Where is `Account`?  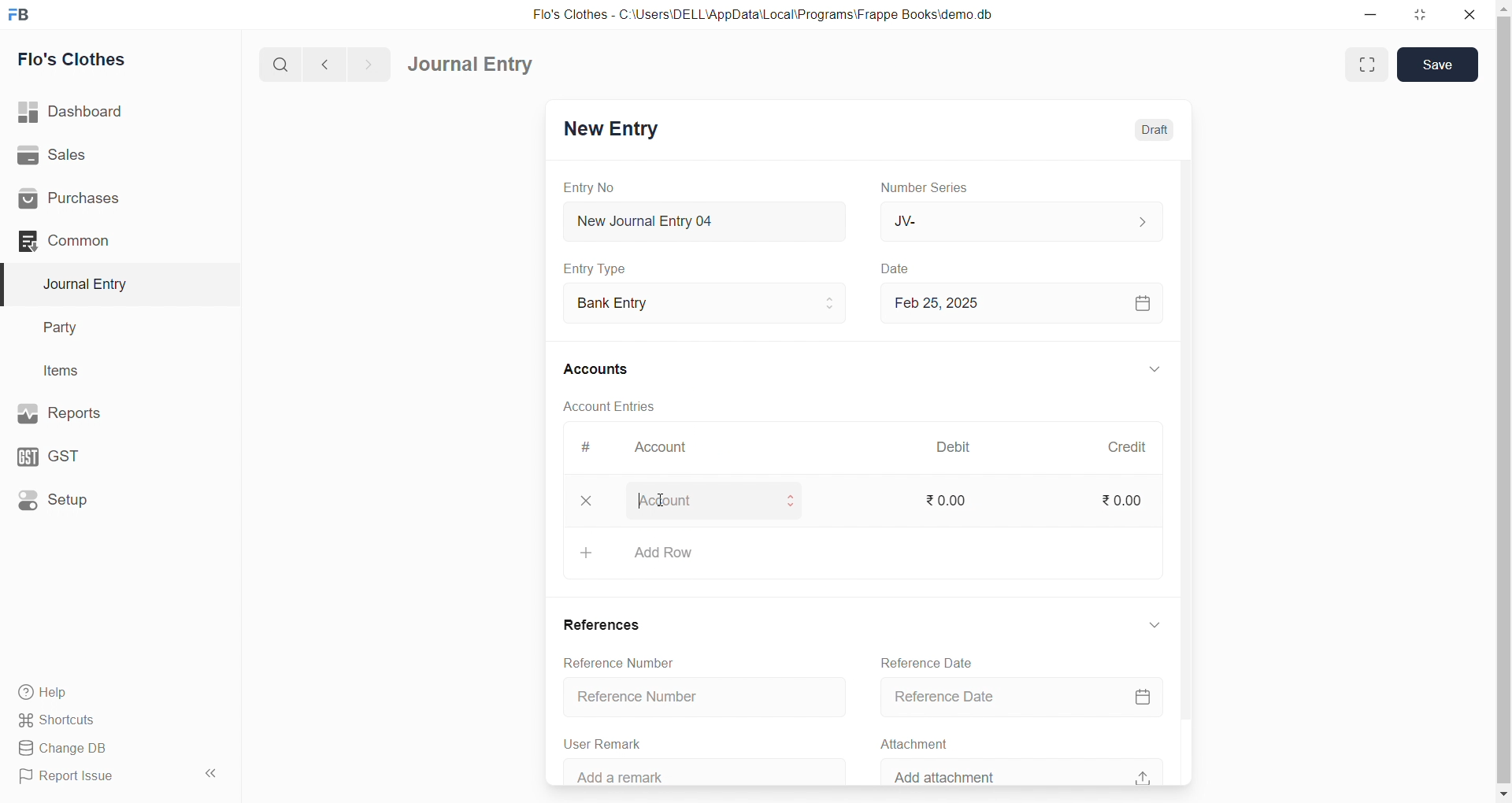
Account is located at coordinates (665, 450).